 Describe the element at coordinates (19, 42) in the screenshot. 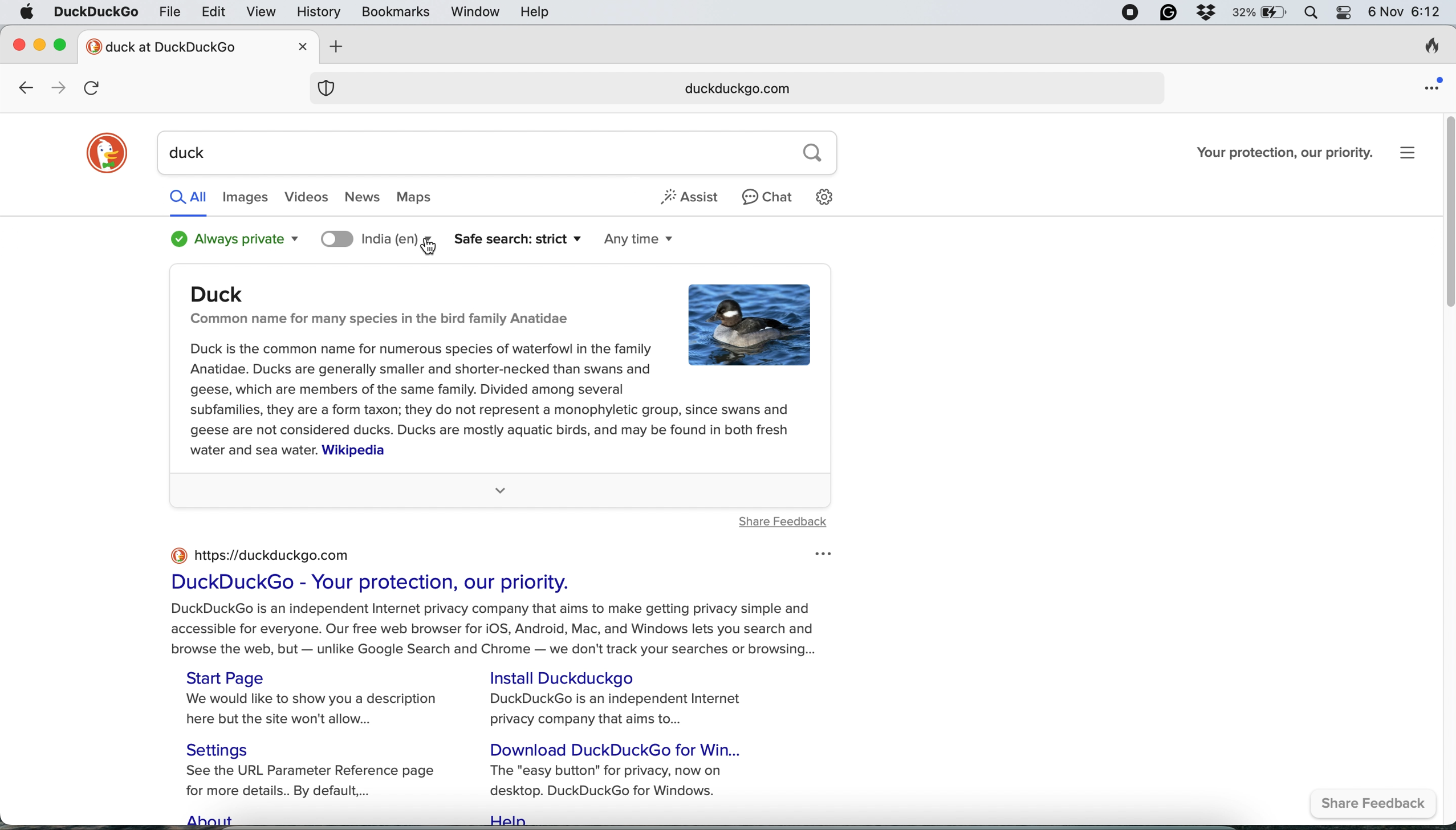

I see `close` at that location.